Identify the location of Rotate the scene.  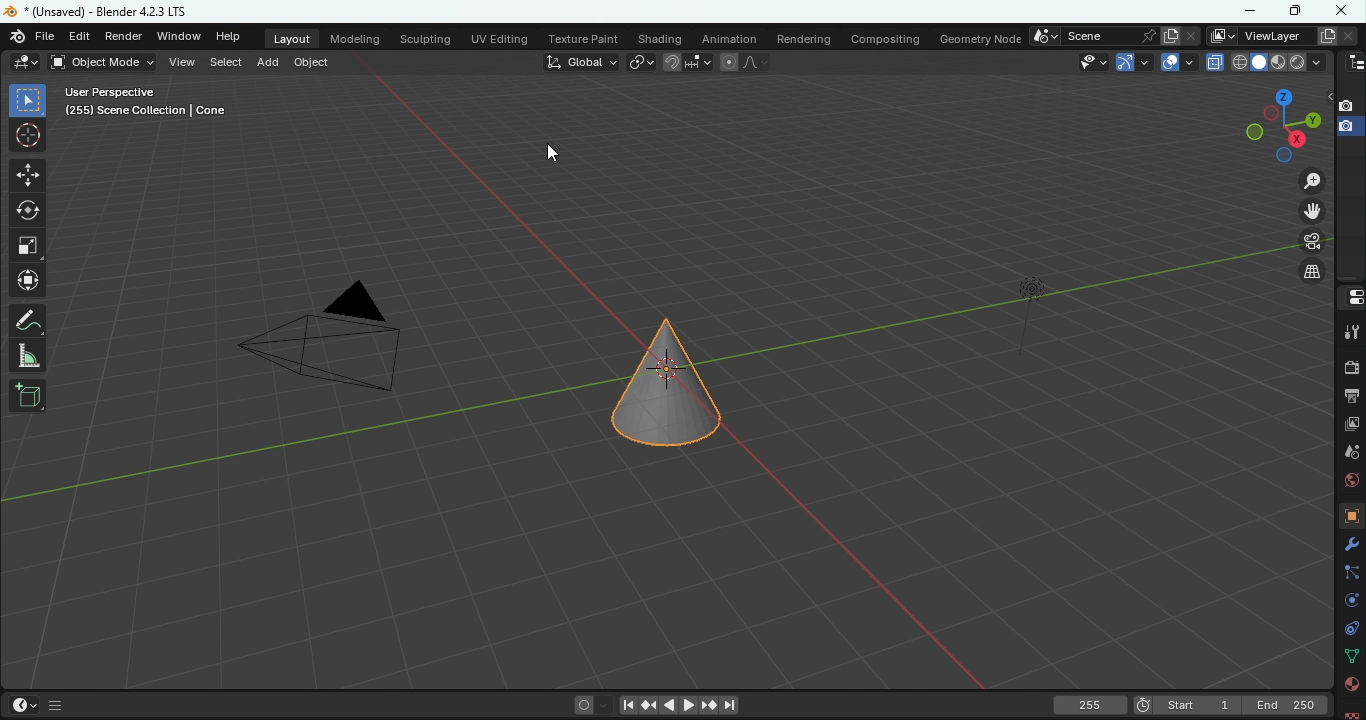
(1313, 118).